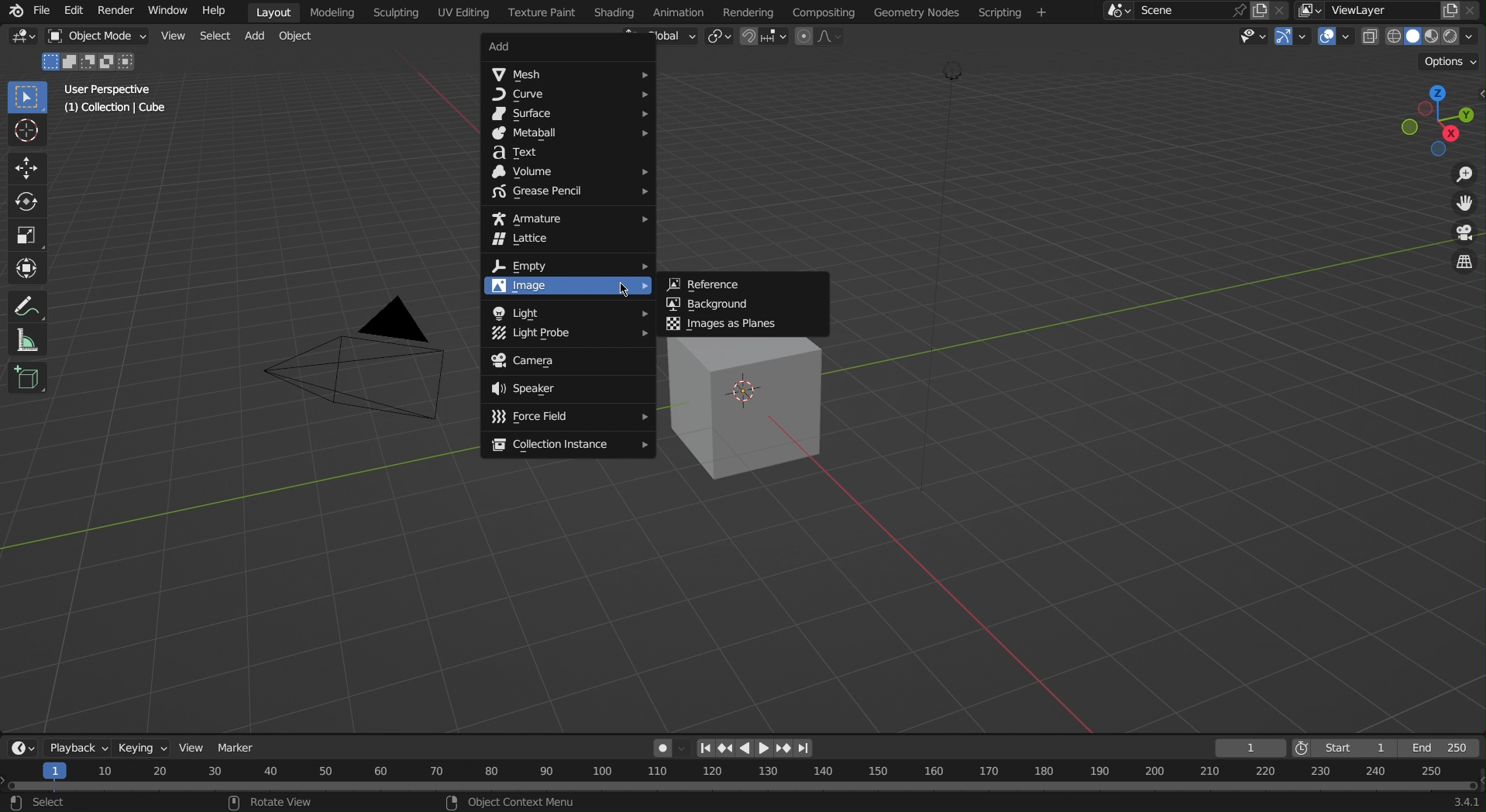 This screenshot has width=1486, height=812. I want to click on Blender, so click(12, 10).